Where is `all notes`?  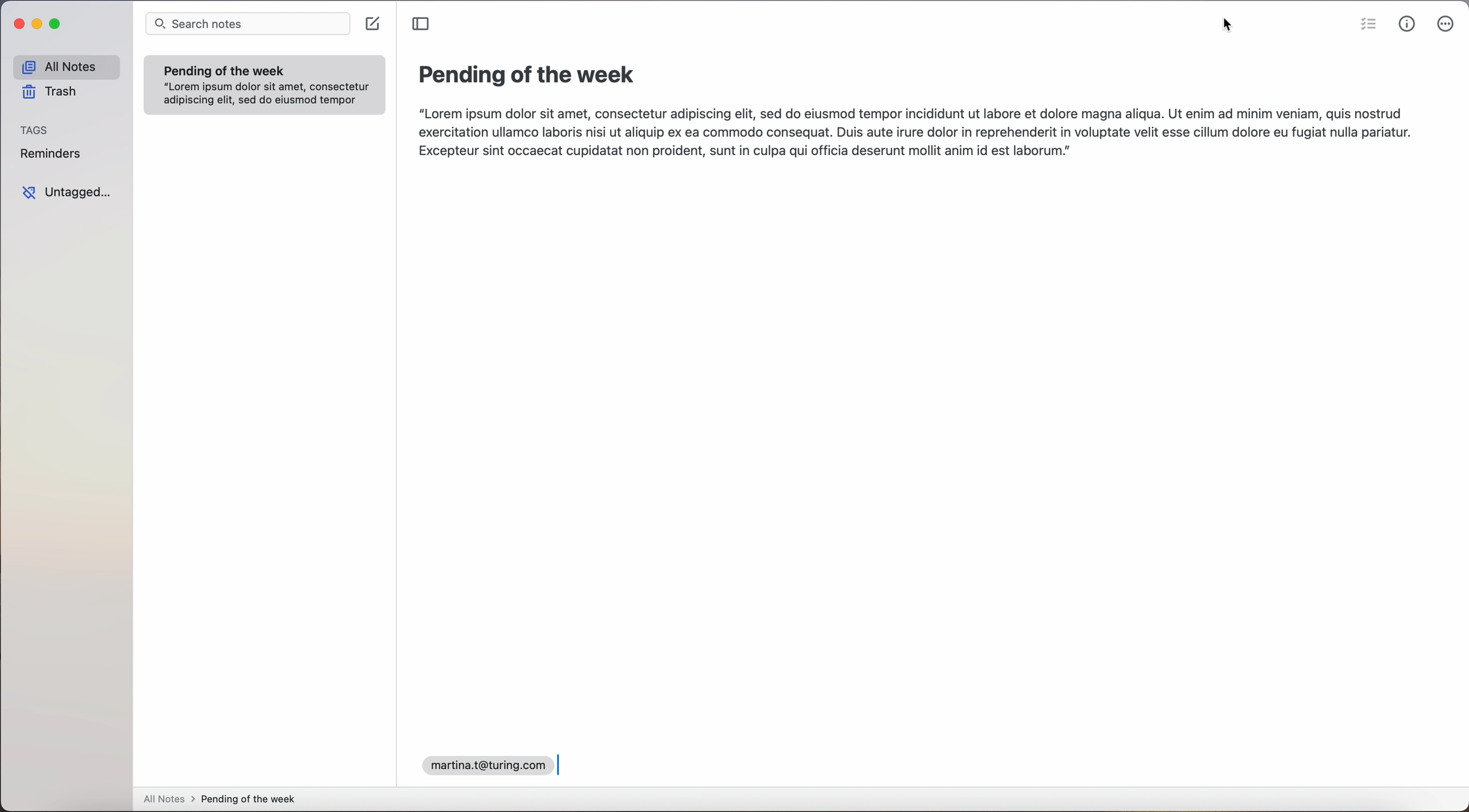
all notes is located at coordinates (66, 66).